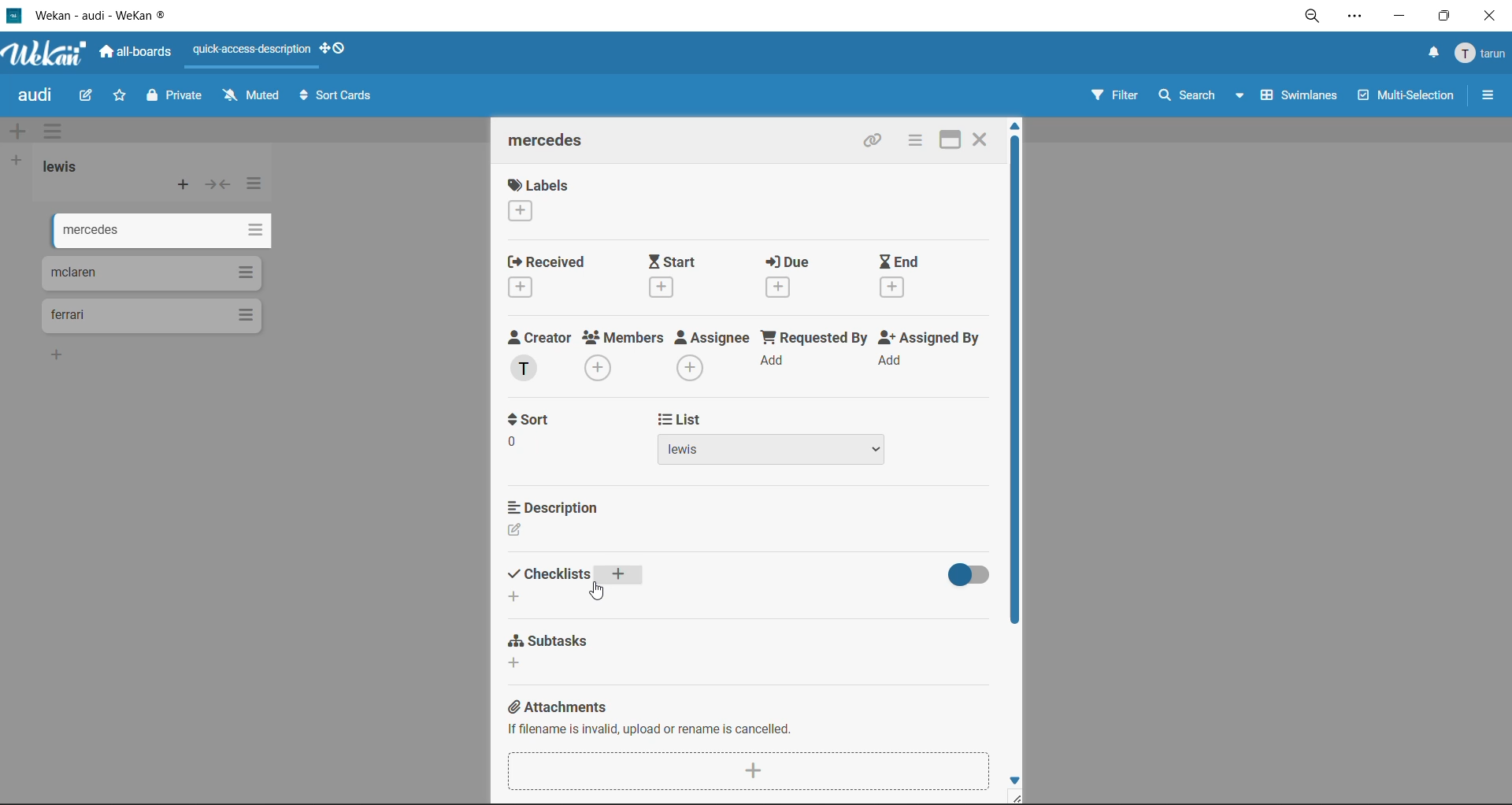 The height and width of the screenshot is (805, 1512). Describe the element at coordinates (87, 95) in the screenshot. I see `edit` at that location.